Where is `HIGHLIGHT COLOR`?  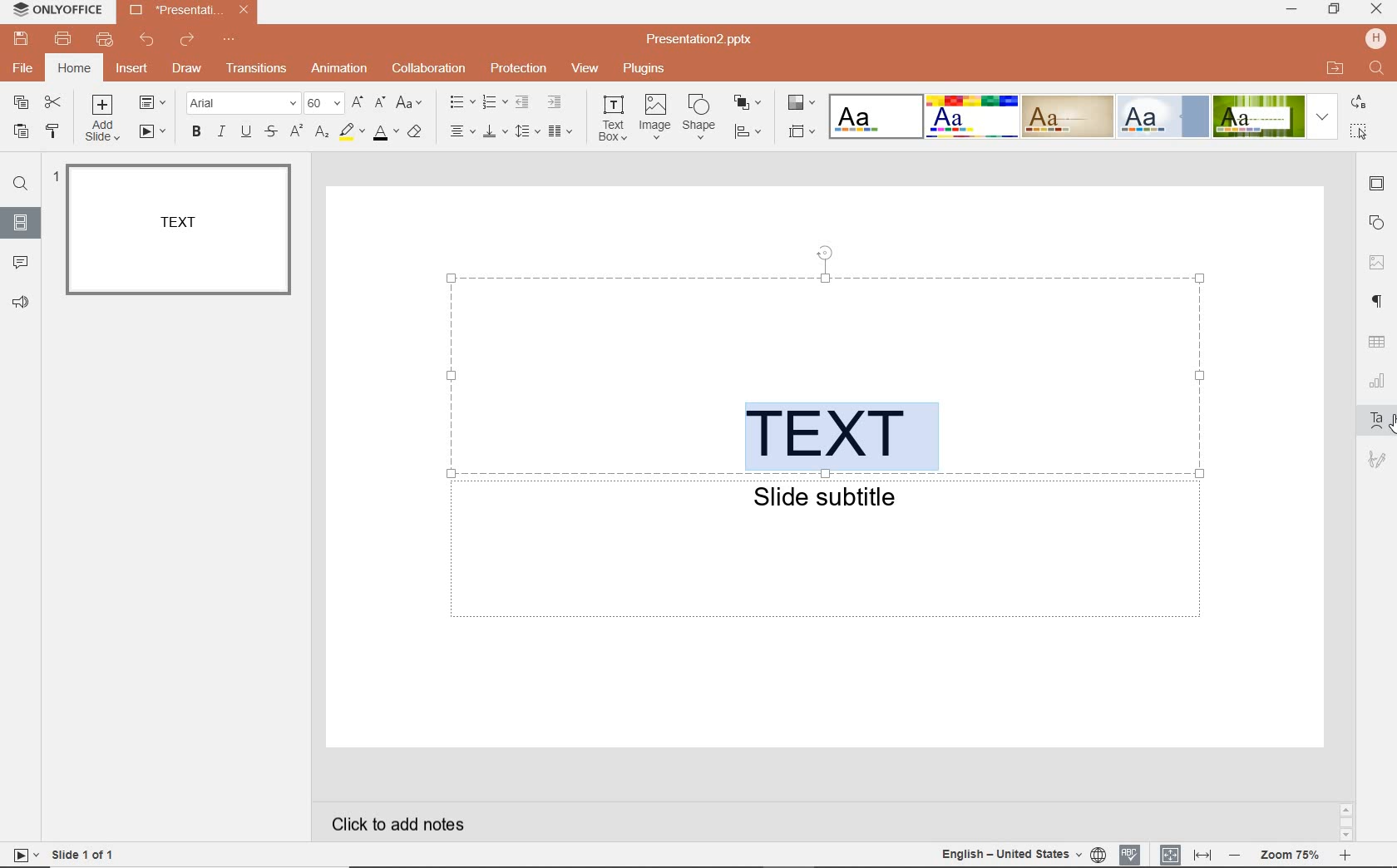 HIGHLIGHT COLOR is located at coordinates (349, 133).